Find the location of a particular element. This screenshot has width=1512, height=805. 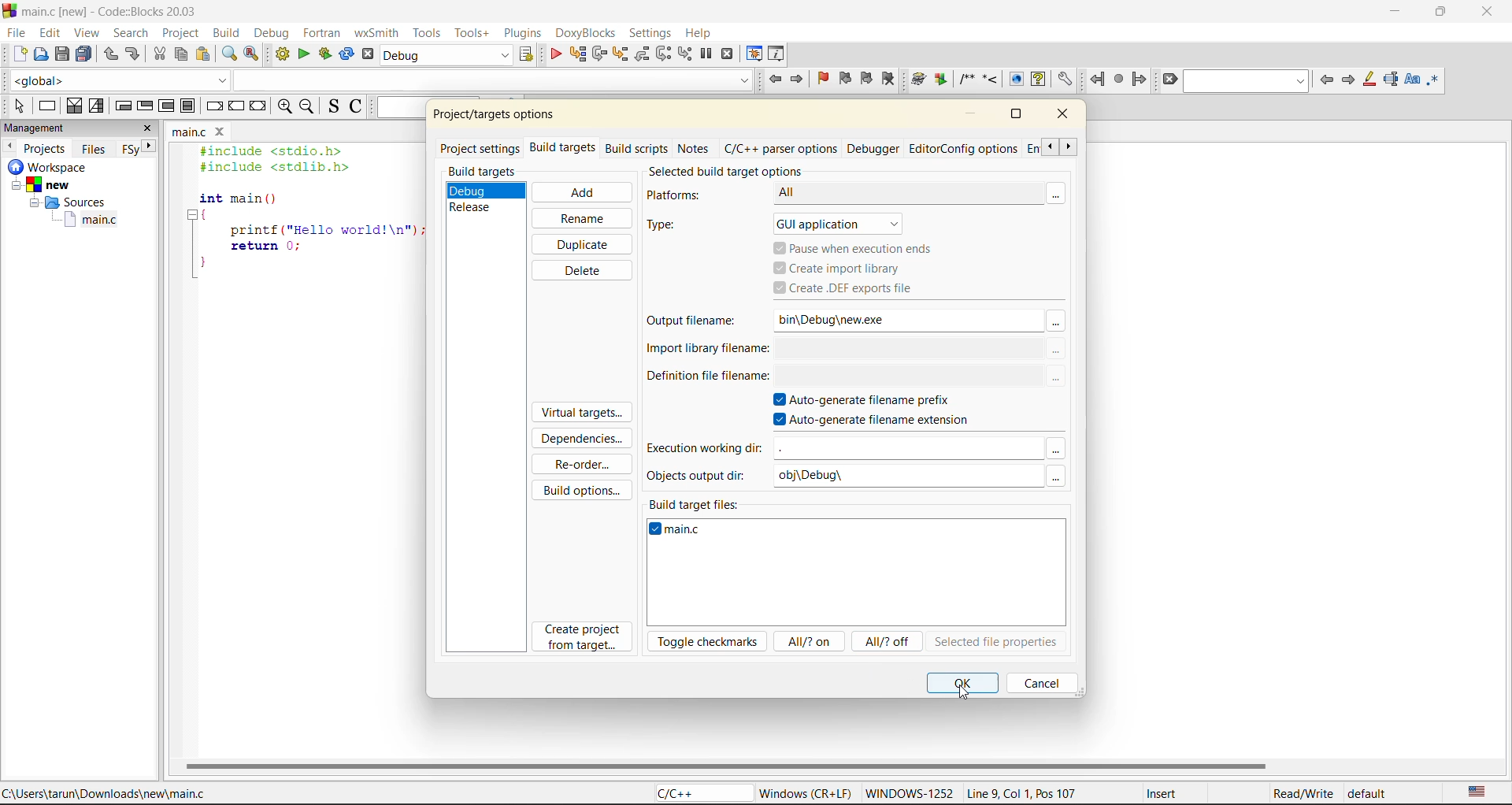

clear is located at coordinates (1172, 81).